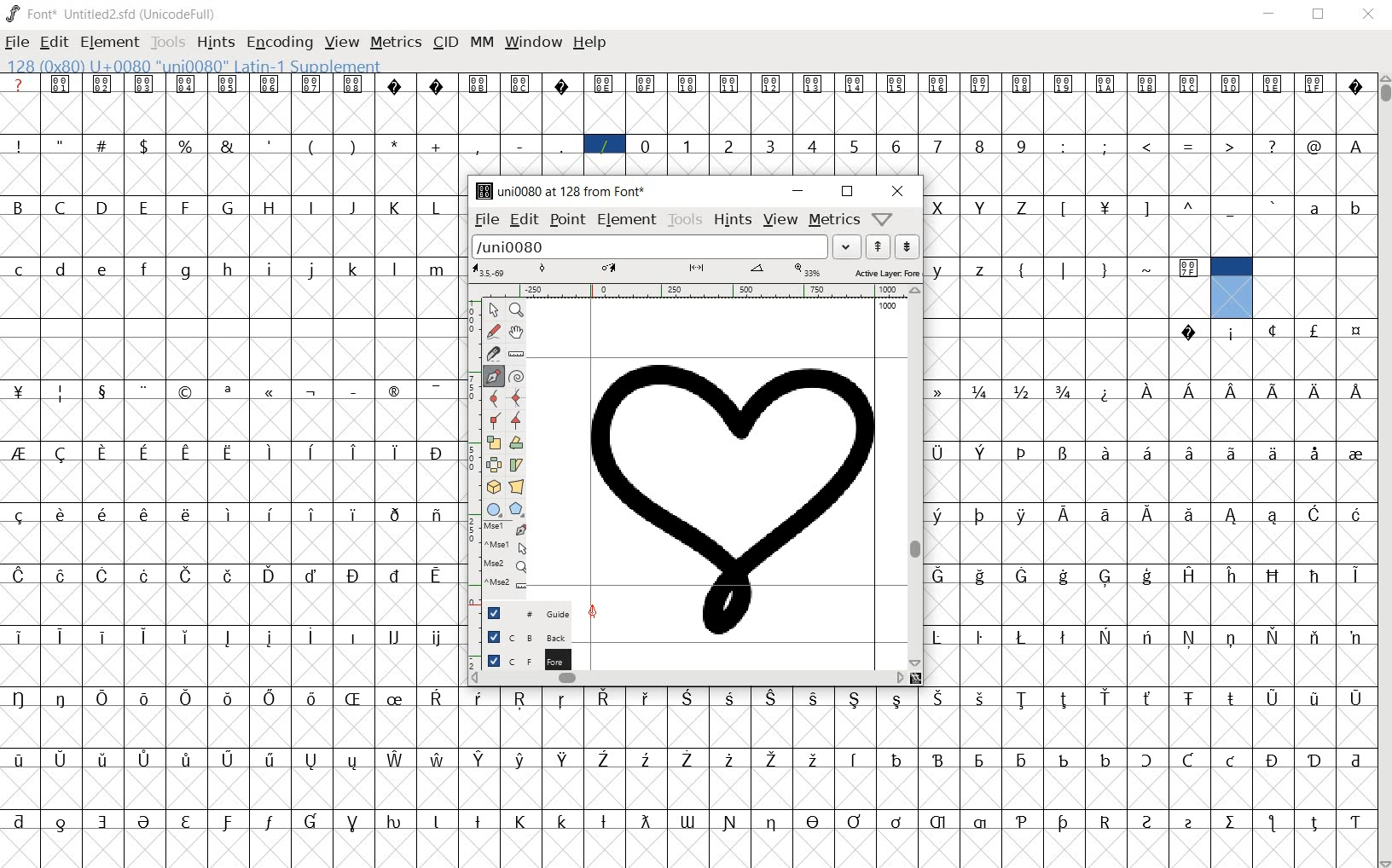  I want to click on glyph, so click(1189, 824).